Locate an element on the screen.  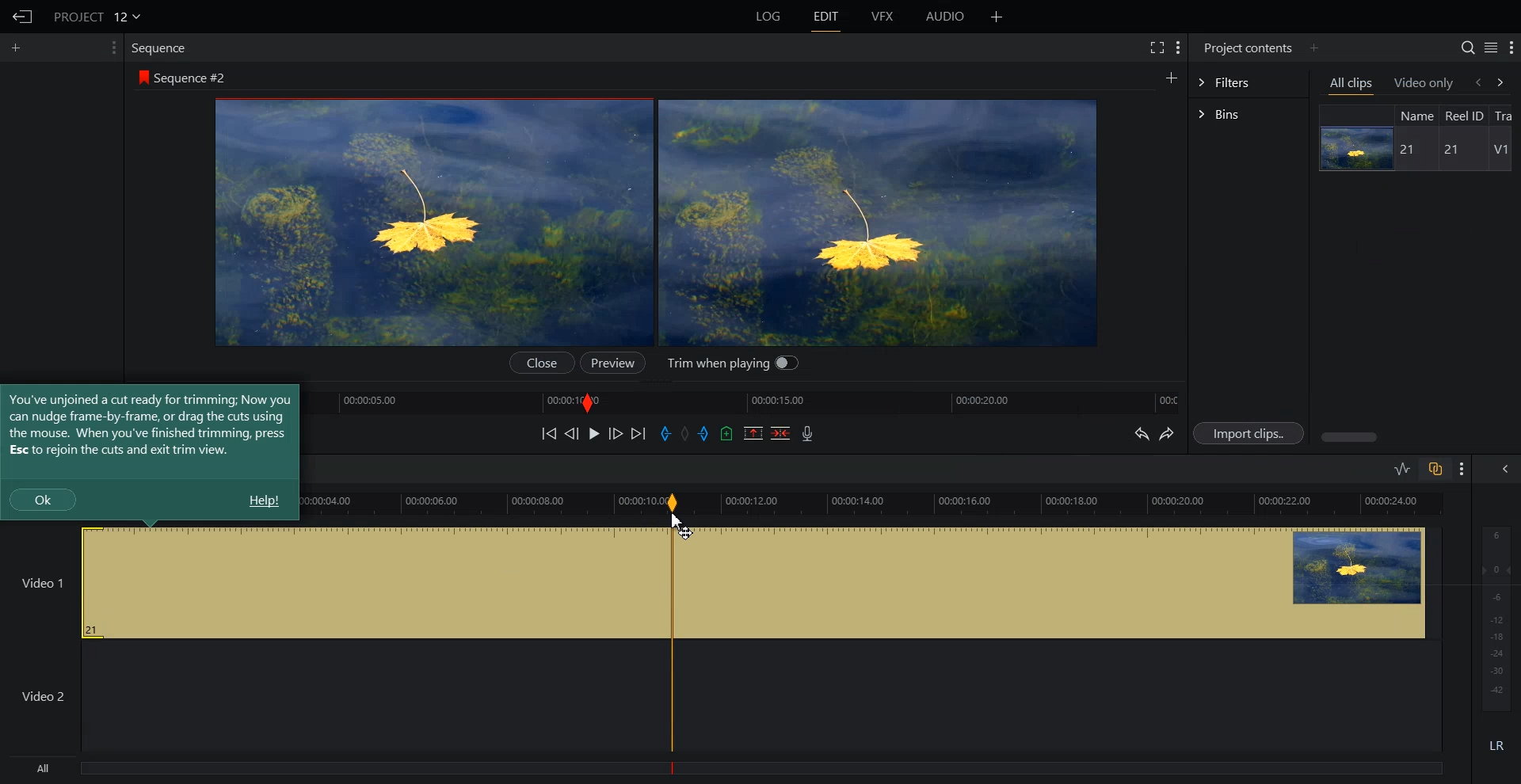
Cursor is located at coordinates (680, 525).